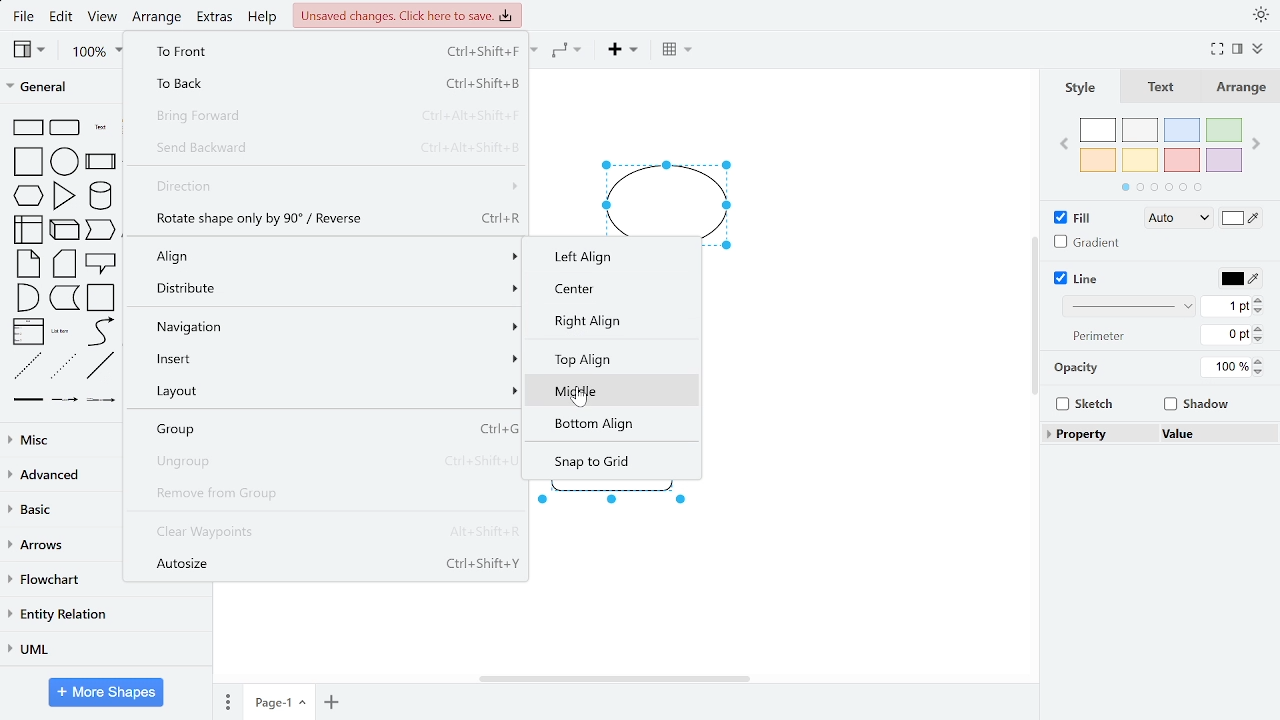 This screenshot has width=1280, height=720. Describe the element at coordinates (1101, 434) in the screenshot. I see `Property` at that location.